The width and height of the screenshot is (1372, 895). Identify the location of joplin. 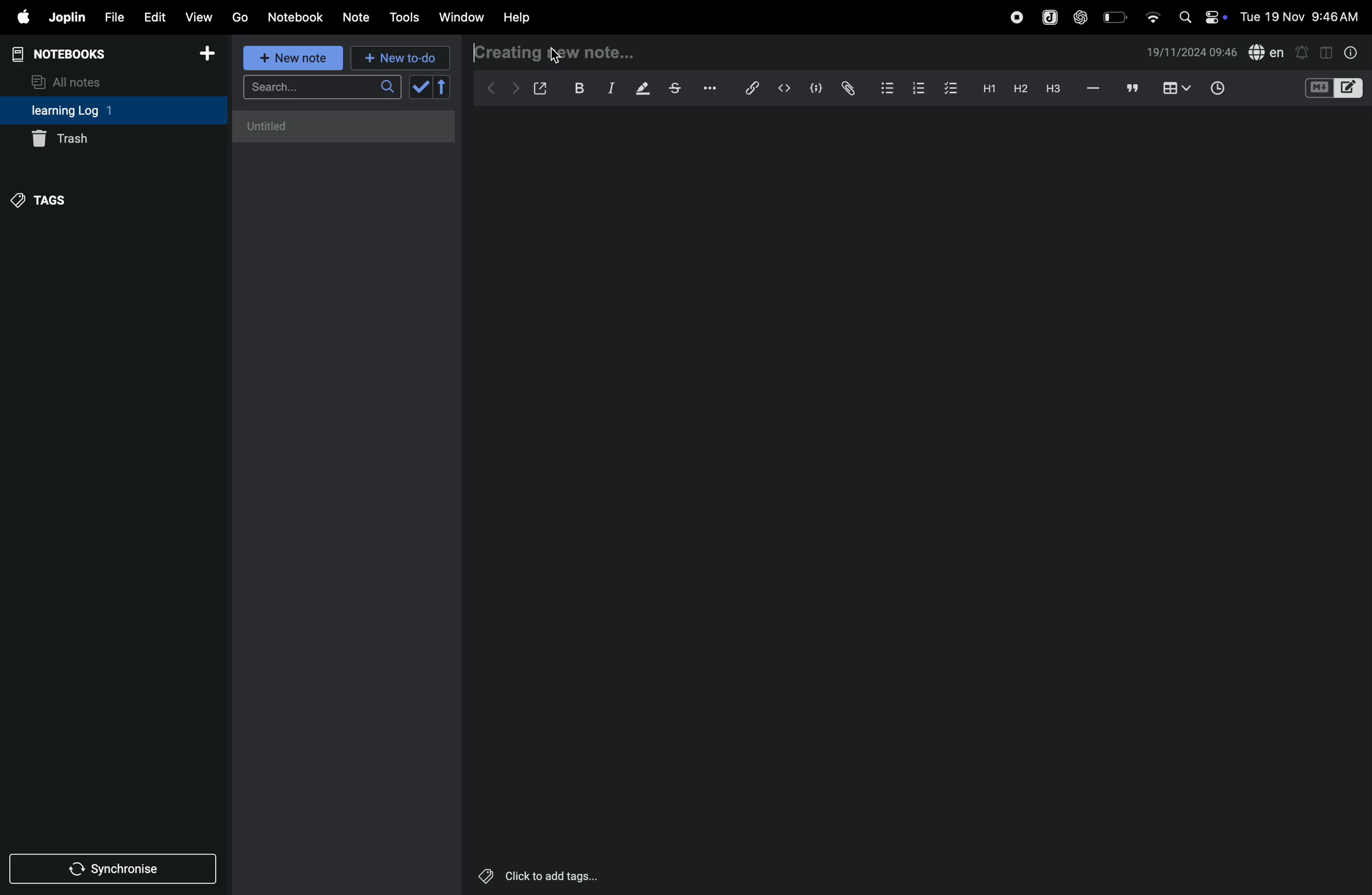
(1048, 17).